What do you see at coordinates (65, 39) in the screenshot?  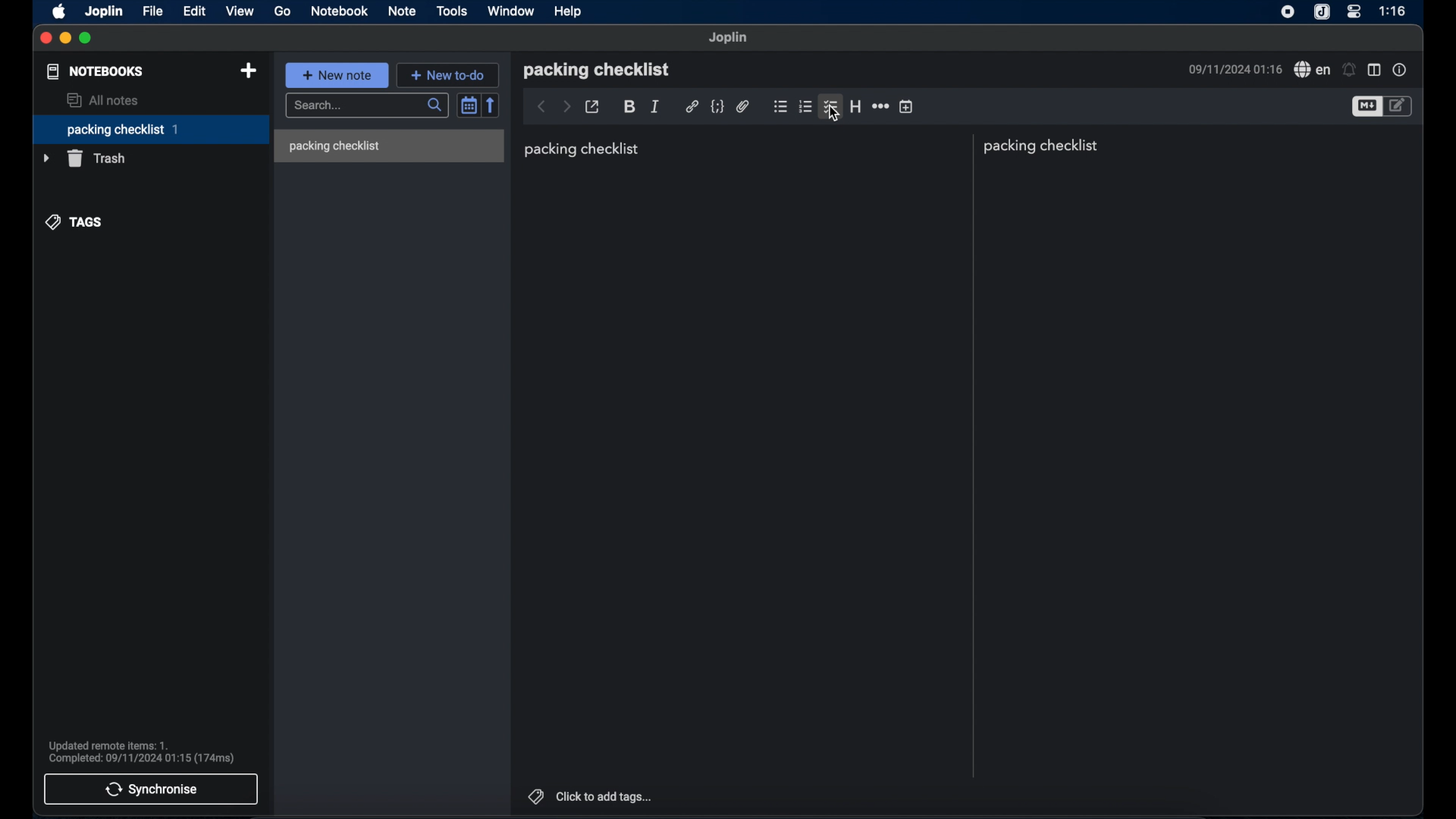 I see `minimize` at bounding box center [65, 39].